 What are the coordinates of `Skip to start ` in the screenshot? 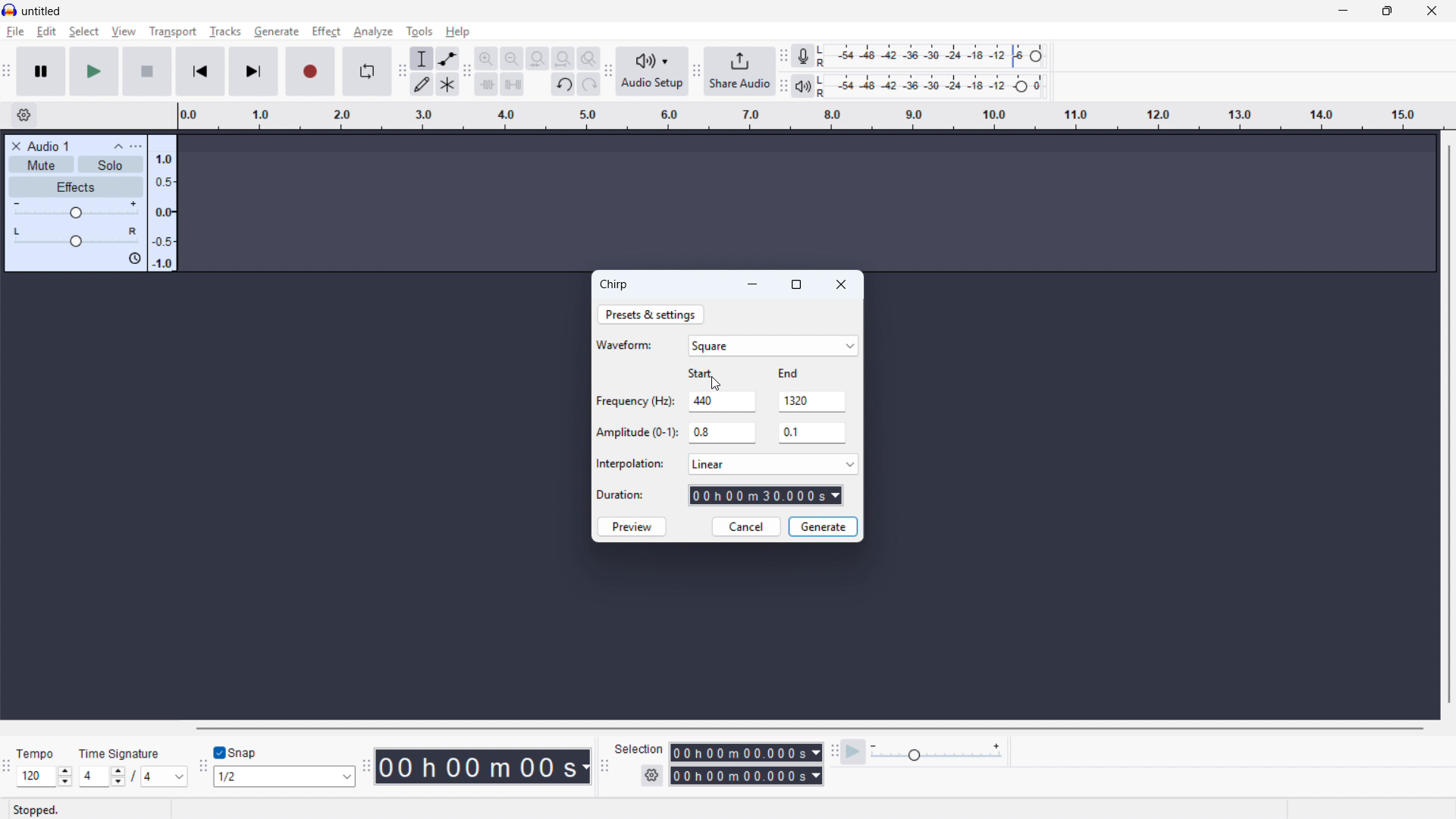 It's located at (200, 71).